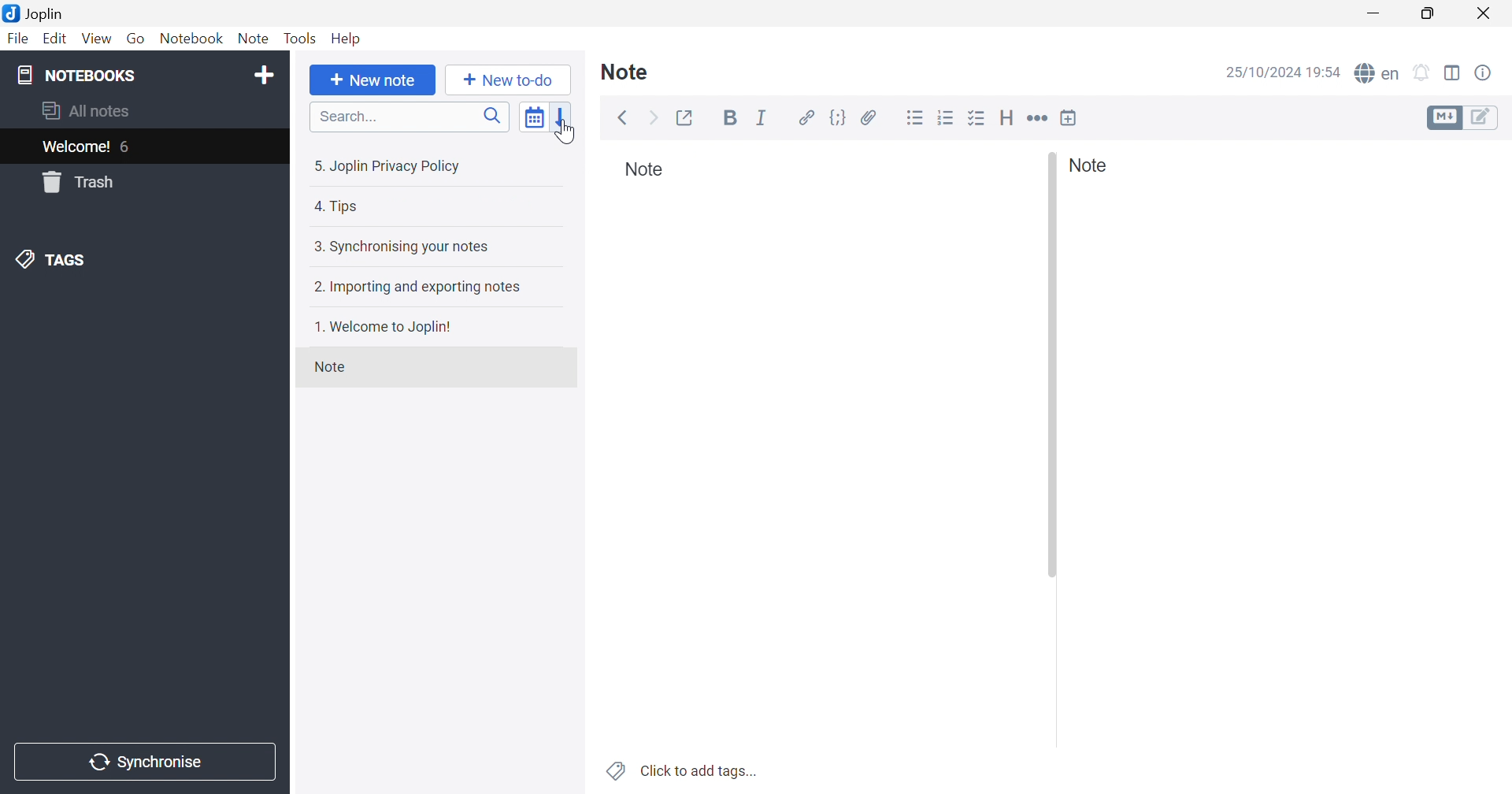  I want to click on 1. Welcome to Joplin!, so click(391, 328).